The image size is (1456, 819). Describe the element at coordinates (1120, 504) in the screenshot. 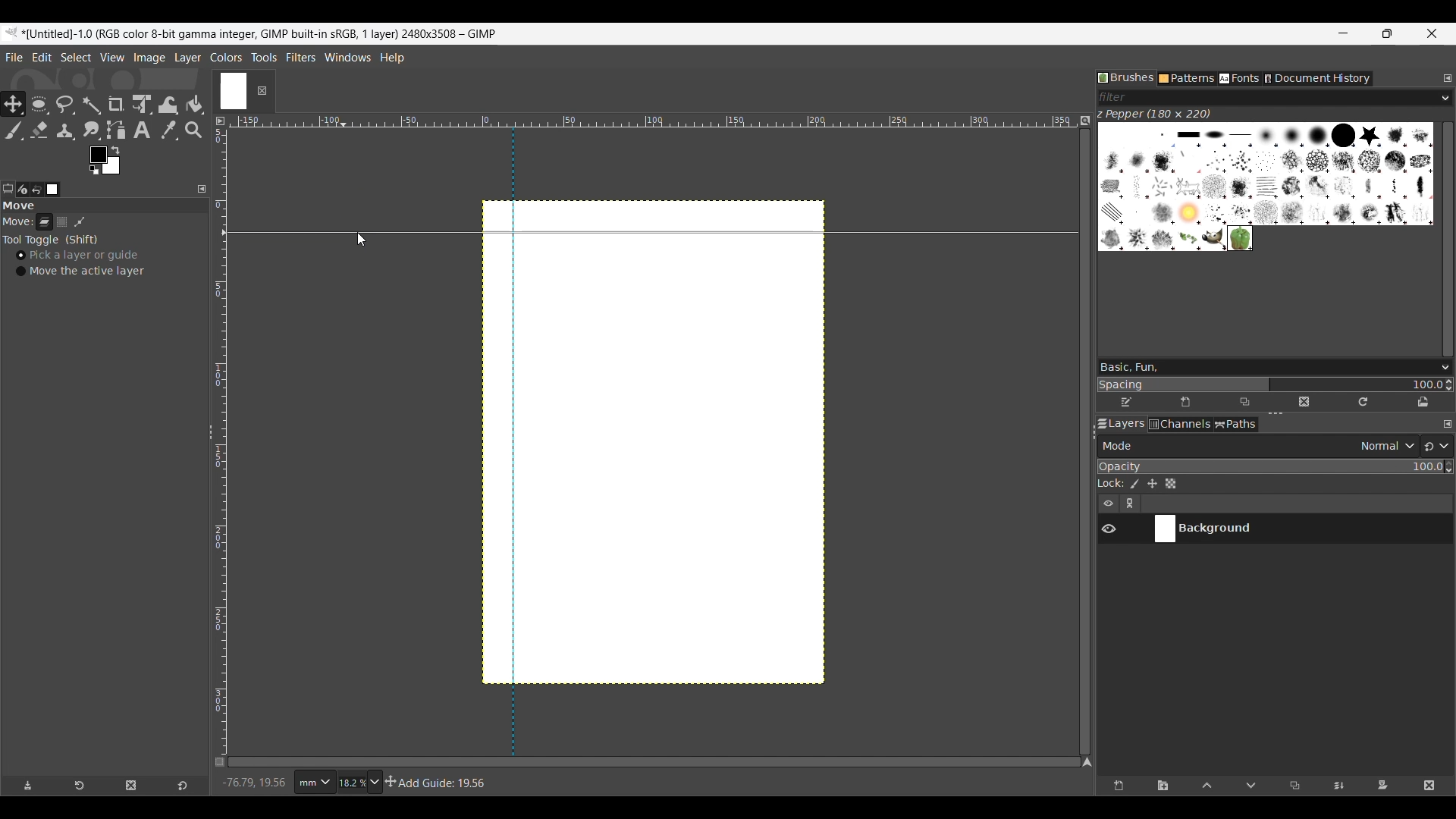

I see `Layer settings` at that location.